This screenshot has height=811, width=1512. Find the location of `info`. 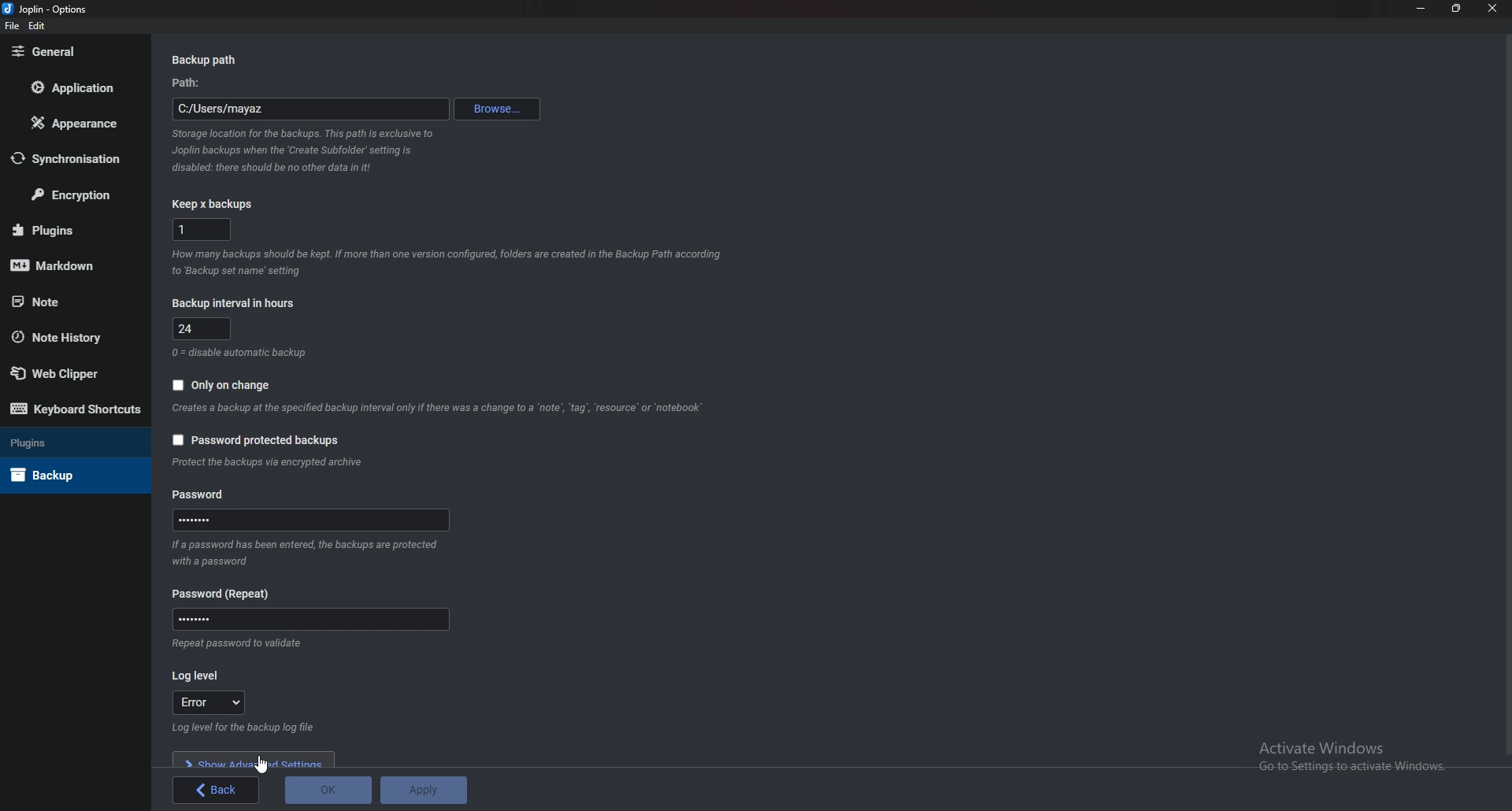

info is located at coordinates (314, 151).